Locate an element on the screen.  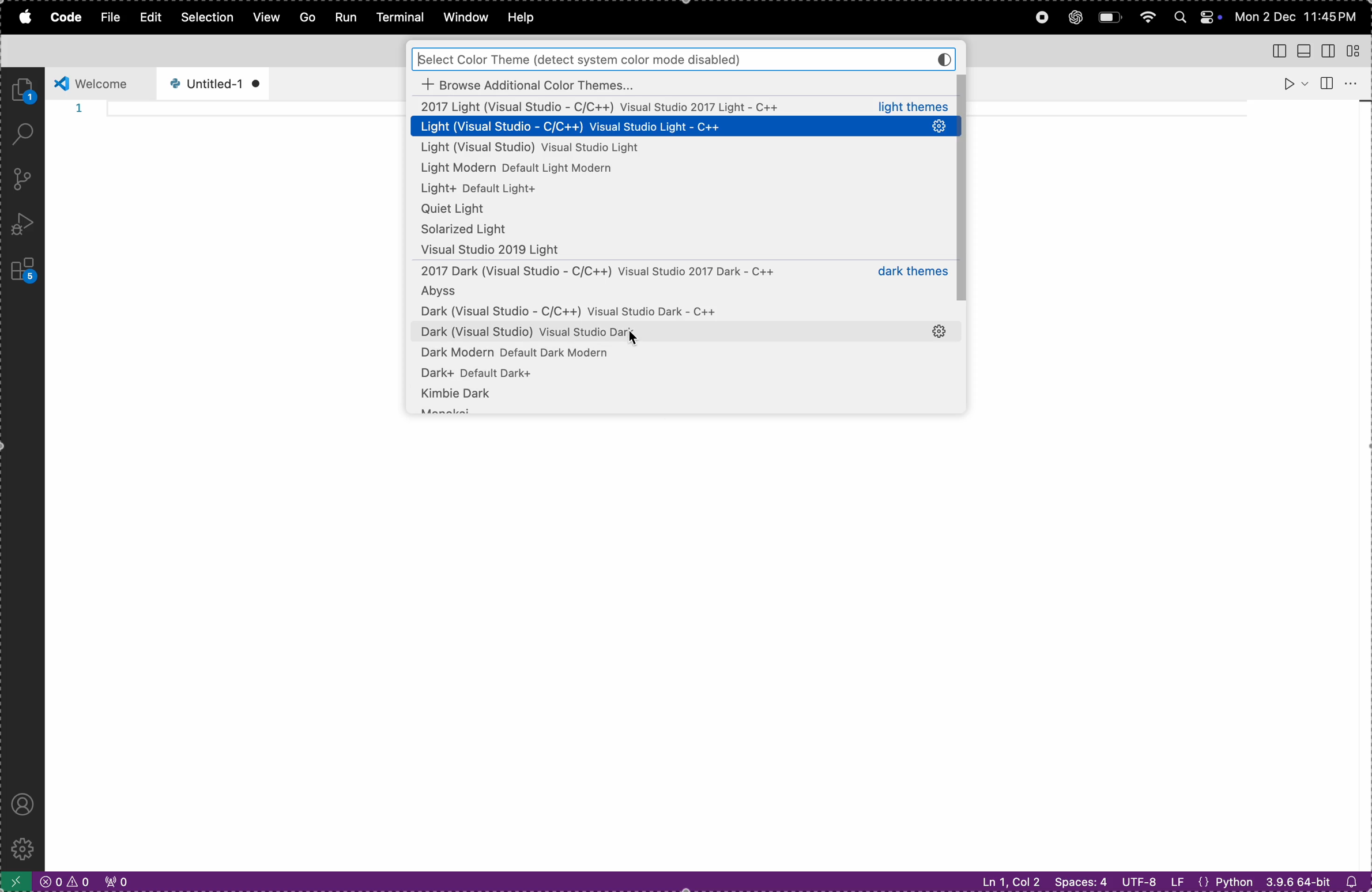
toggle secondary side bar is located at coordinates (1331, 50).